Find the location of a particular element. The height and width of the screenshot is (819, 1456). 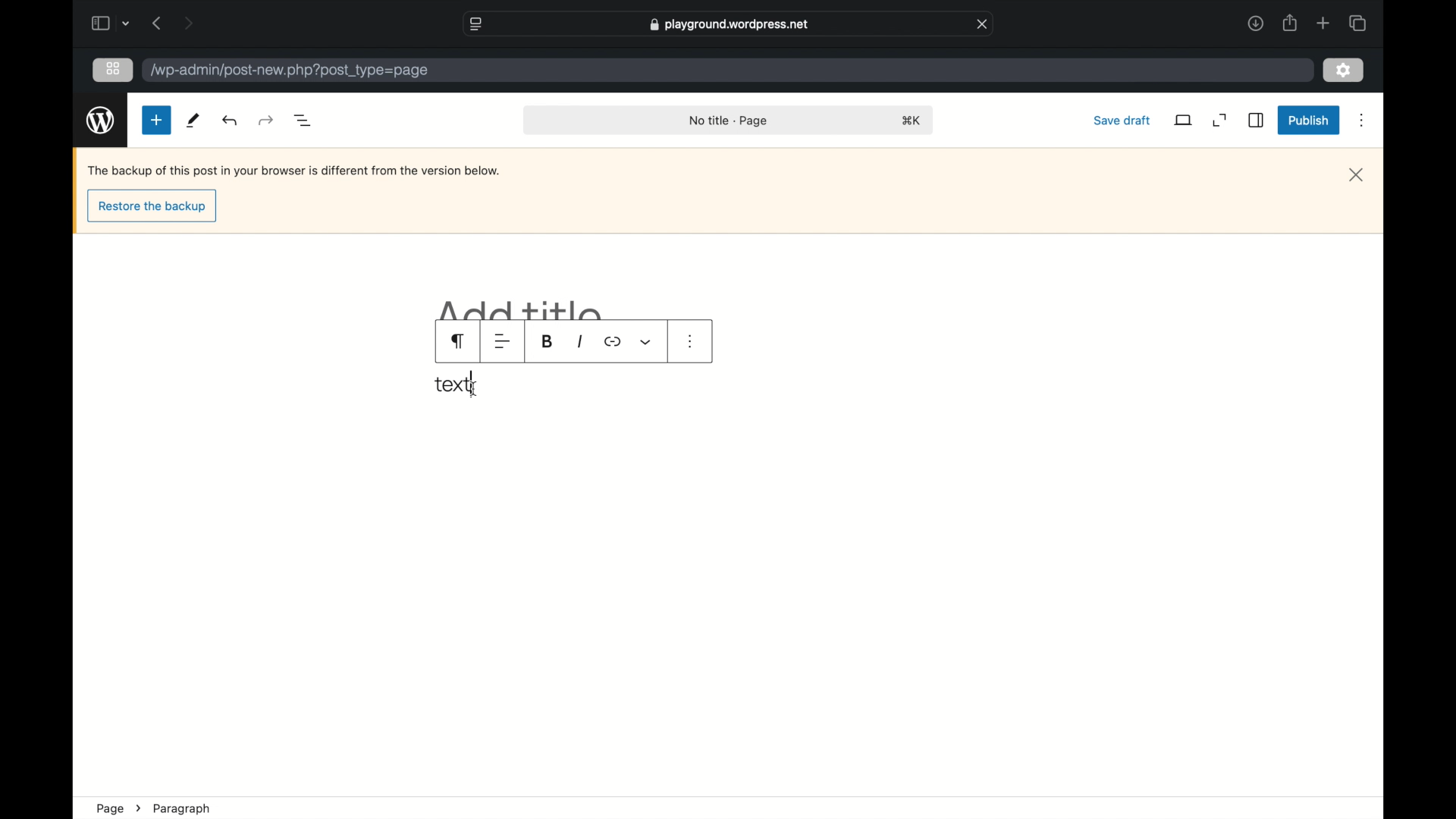

restore the backup is located at coordinates (152, 208).